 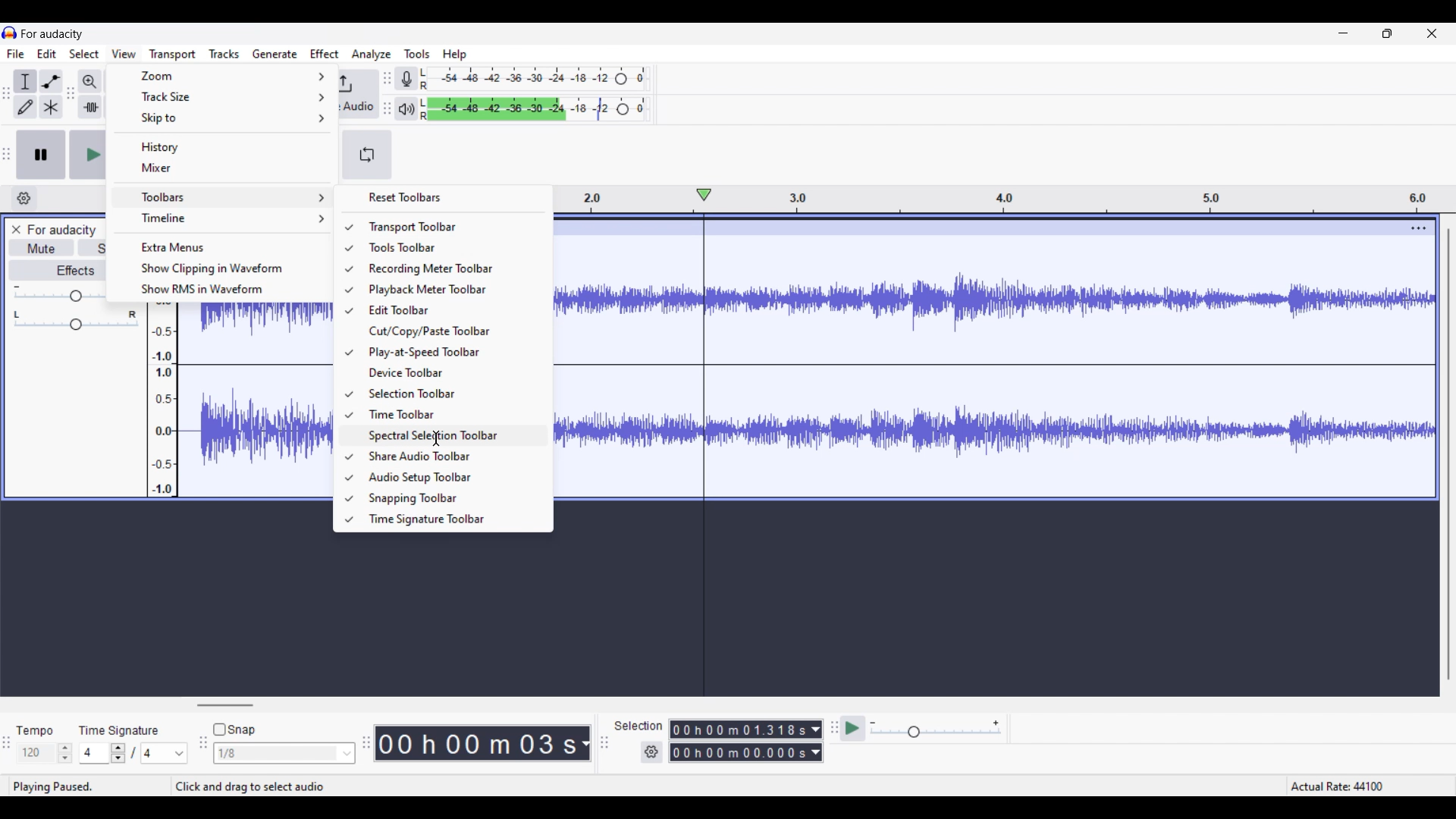 What do you see at coordinates (442, 197) in the screenshot?
I see `Reset toolbars` at bounding box center [442, 197].